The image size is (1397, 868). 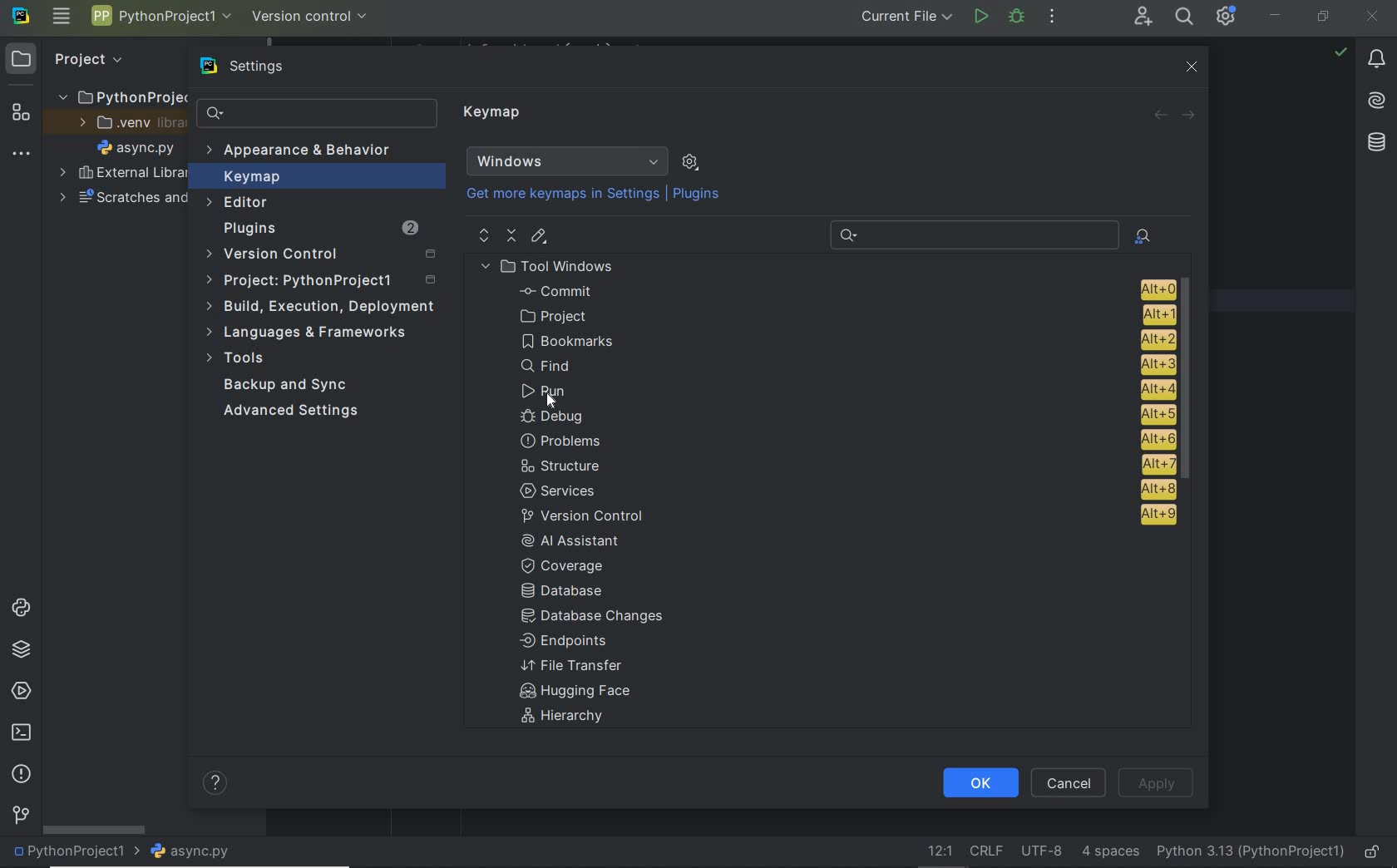 What do you see at coordinates (570, 693) in the screenshot?
I see `Hugging face` at bounding box center [570, 693].